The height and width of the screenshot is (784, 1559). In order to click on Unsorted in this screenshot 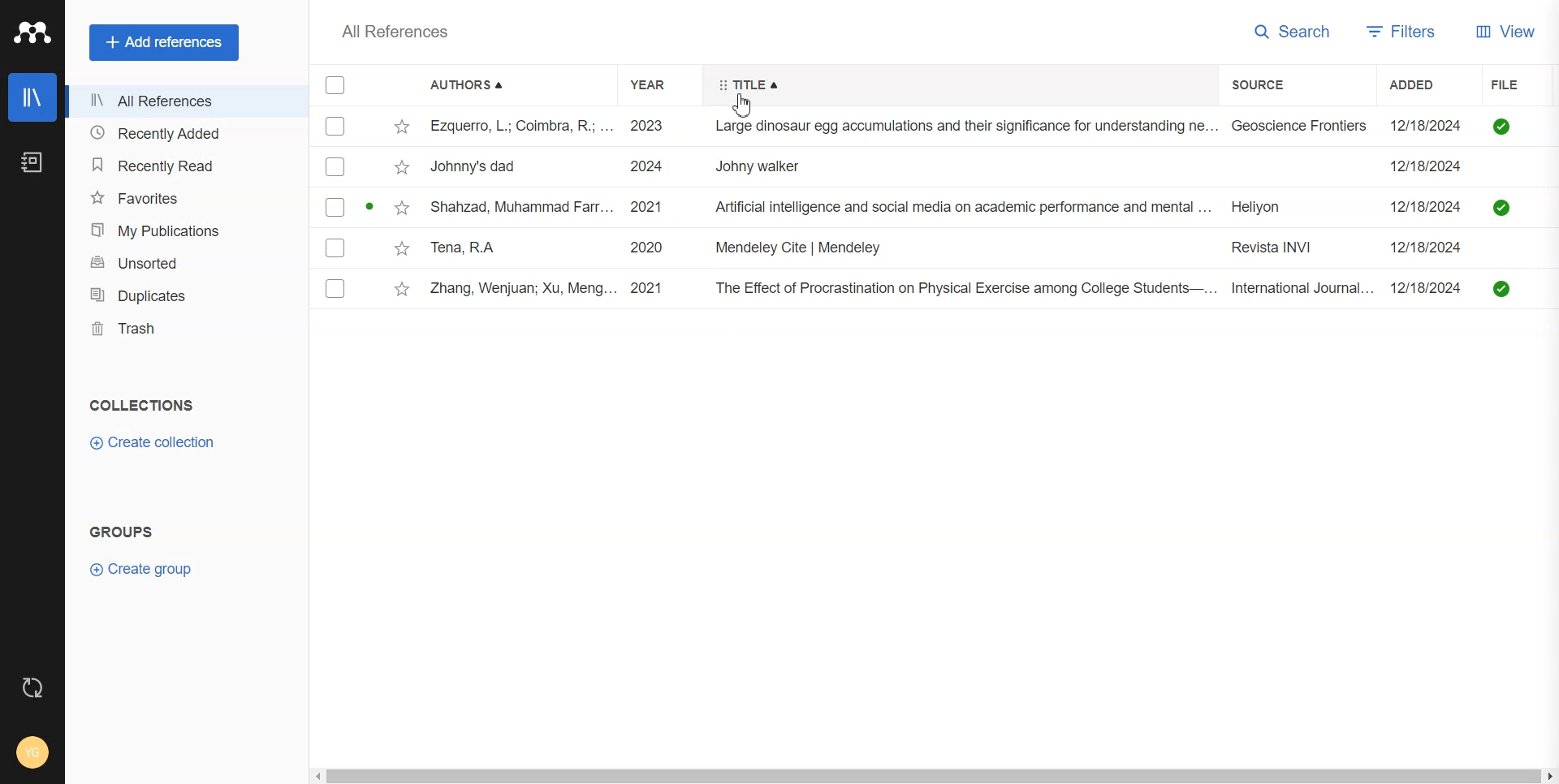, I will do `click(187, 263)`.